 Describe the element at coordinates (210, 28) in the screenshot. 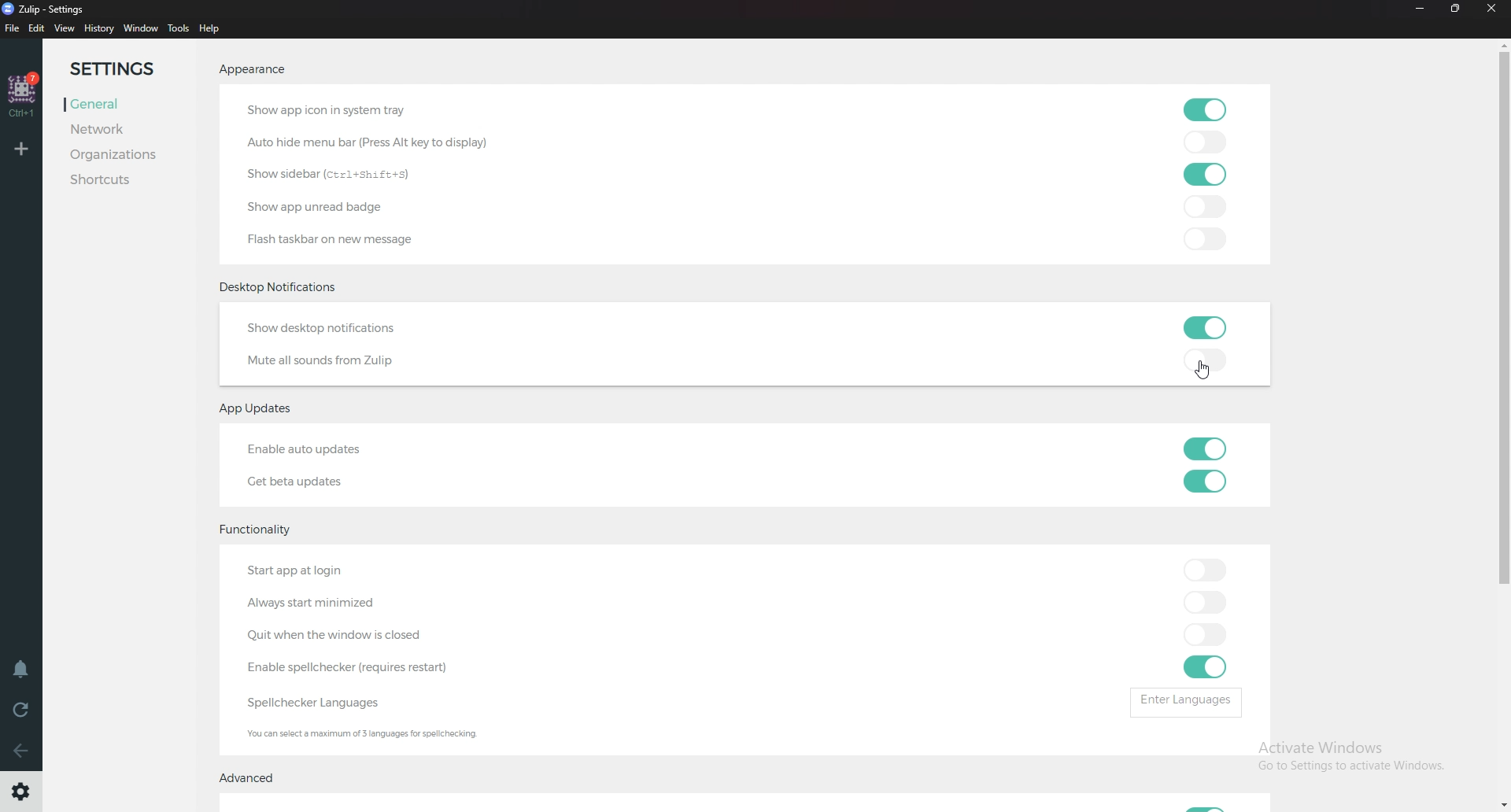

I see `help` at that location.